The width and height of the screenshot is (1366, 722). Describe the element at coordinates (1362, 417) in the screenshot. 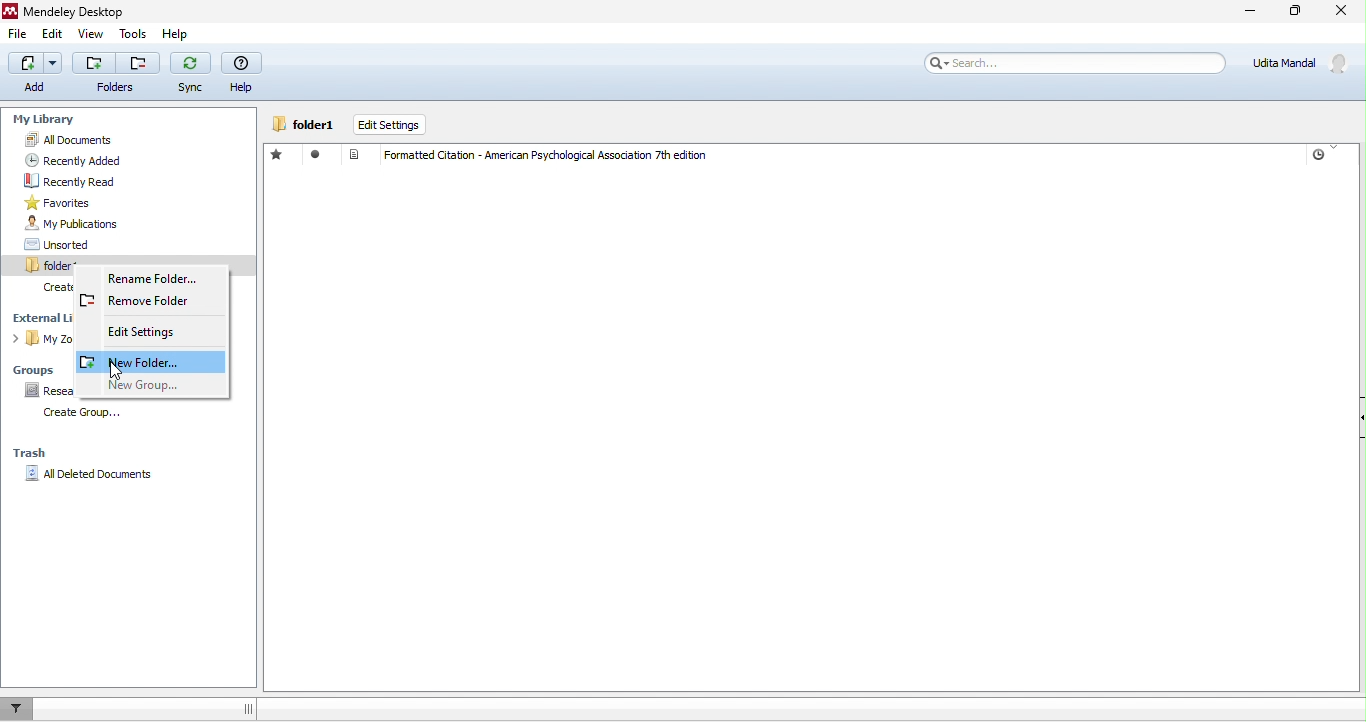

I see `Show/Hide` at that location.